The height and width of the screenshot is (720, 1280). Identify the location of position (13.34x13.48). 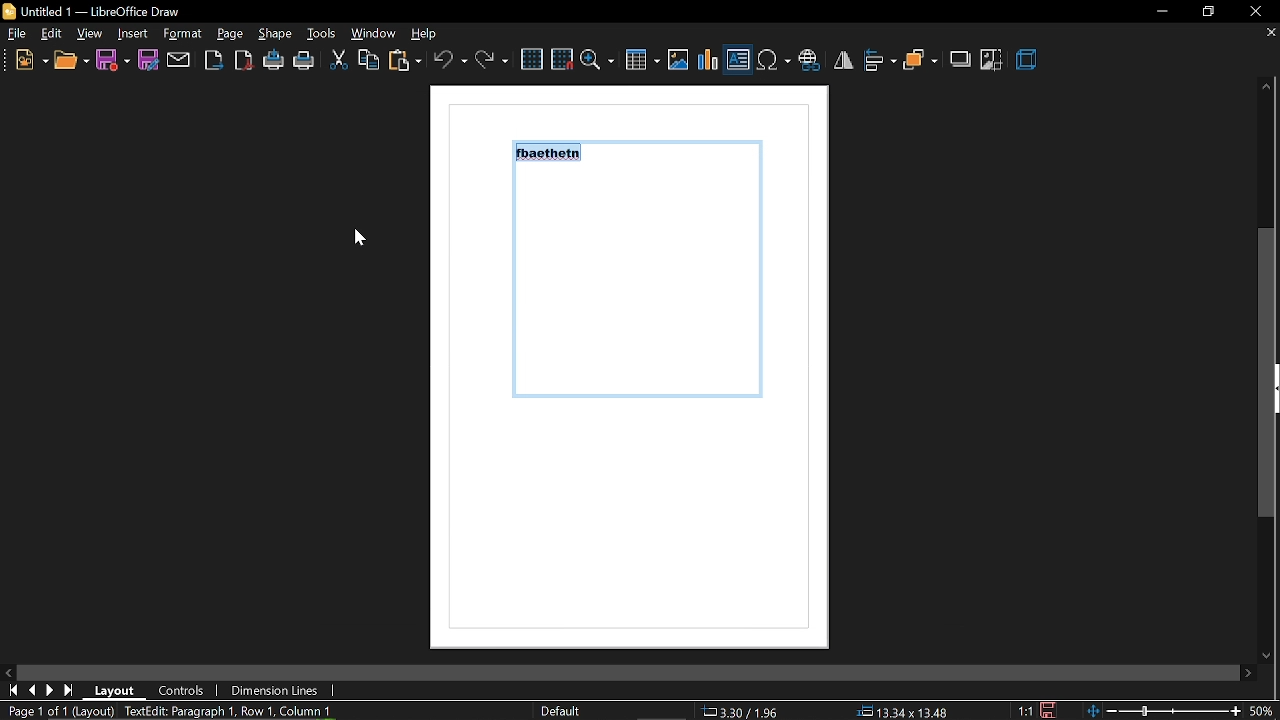
(901, 711).